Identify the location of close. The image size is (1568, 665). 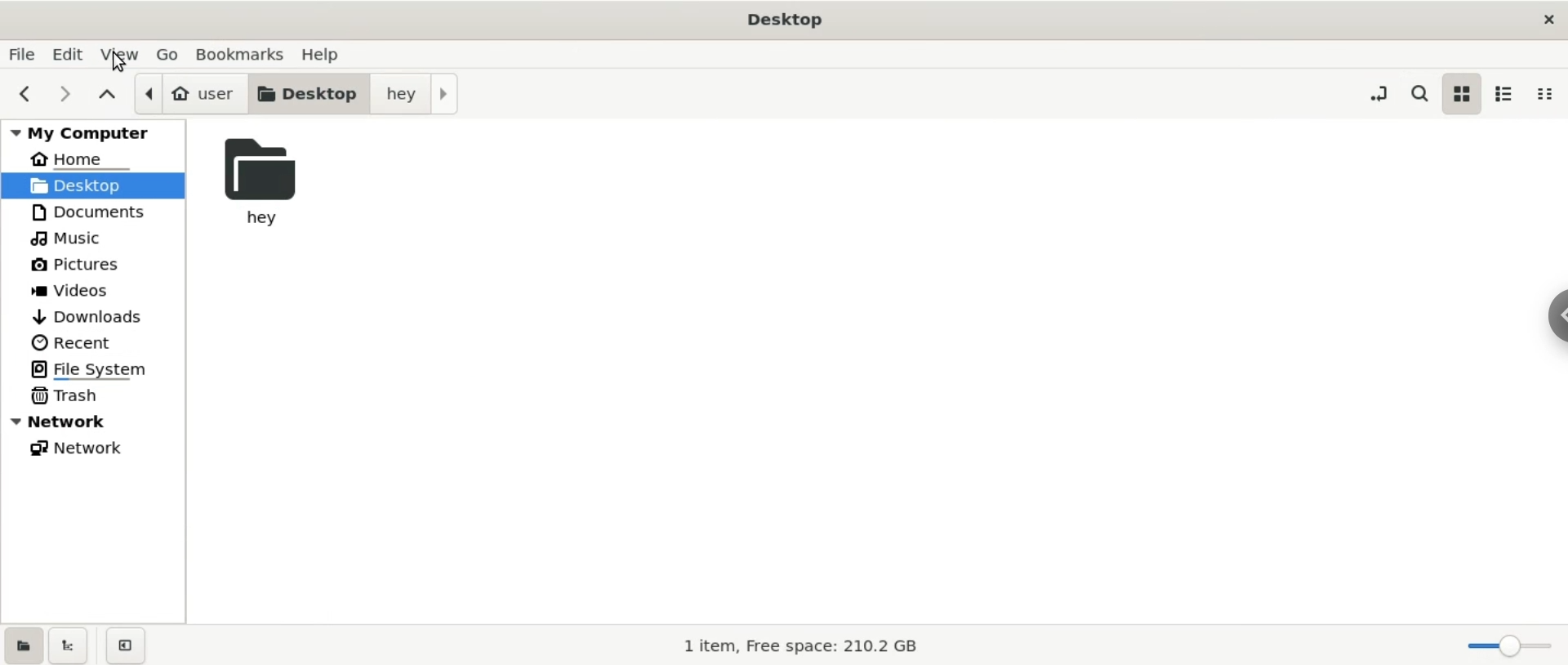
(1545, 19).